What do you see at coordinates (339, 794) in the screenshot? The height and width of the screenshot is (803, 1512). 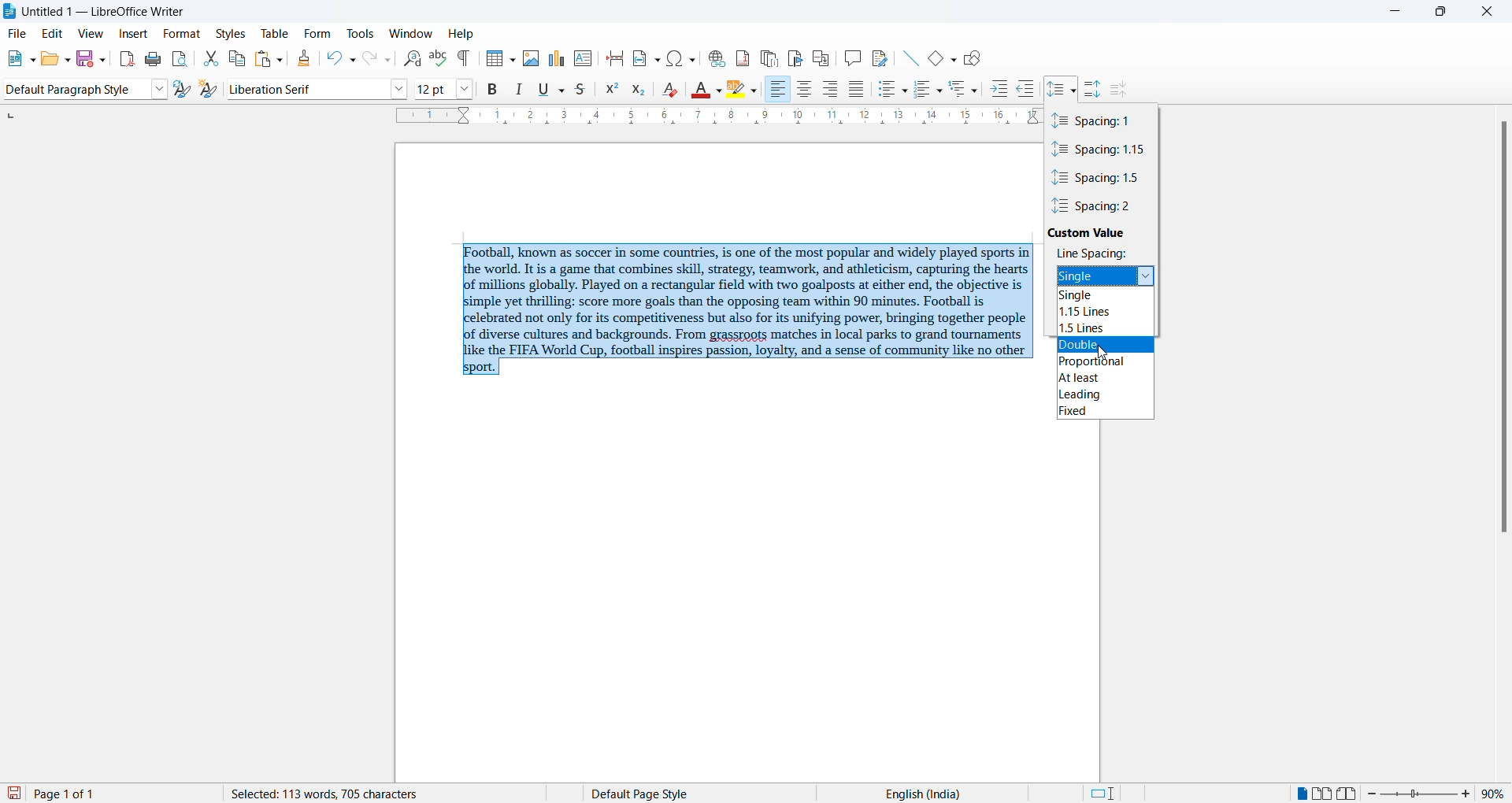 I see `word and character count` at bounding box center [339, 794].